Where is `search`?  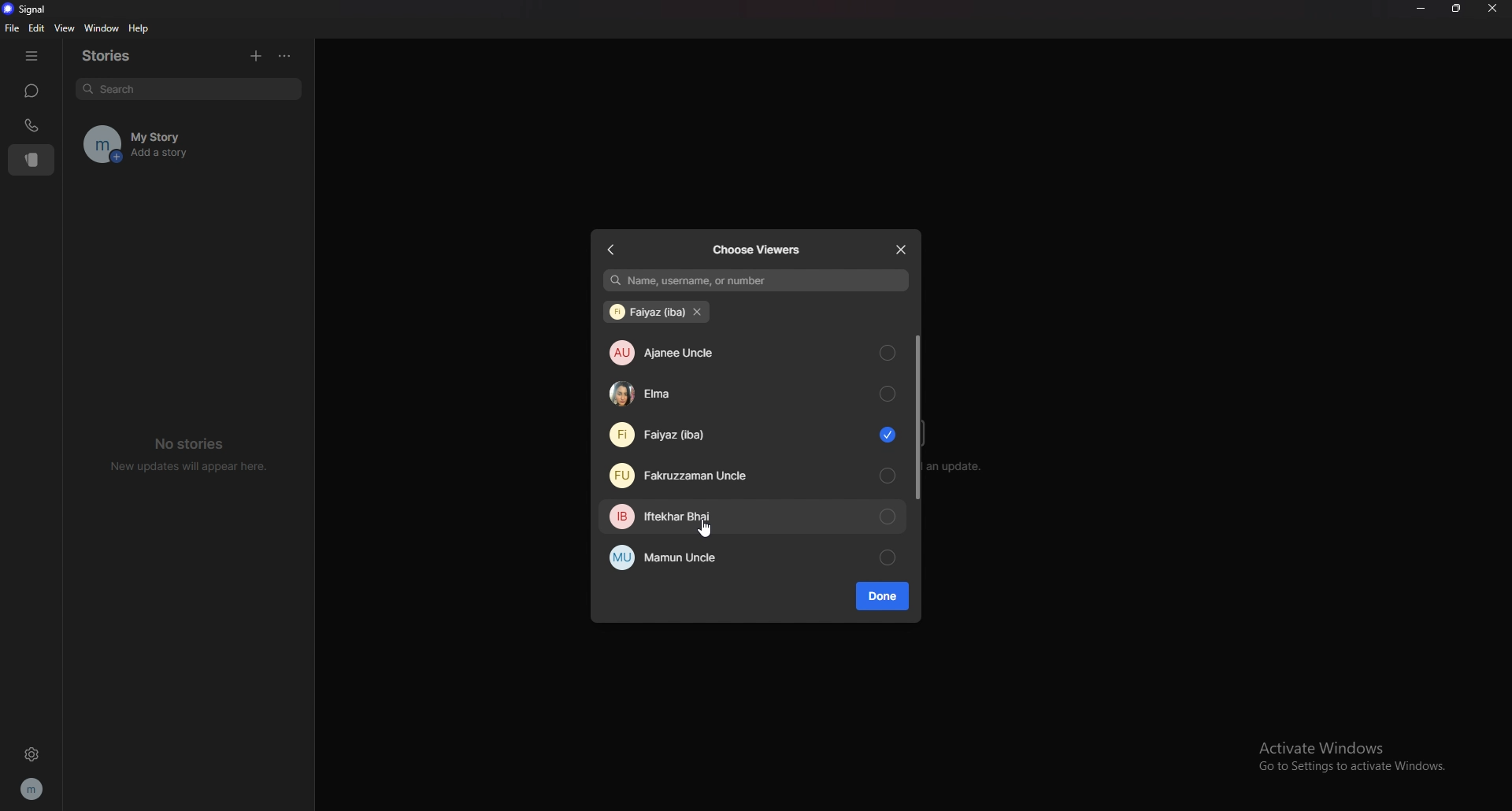
search is located at coordinates (193, 87).